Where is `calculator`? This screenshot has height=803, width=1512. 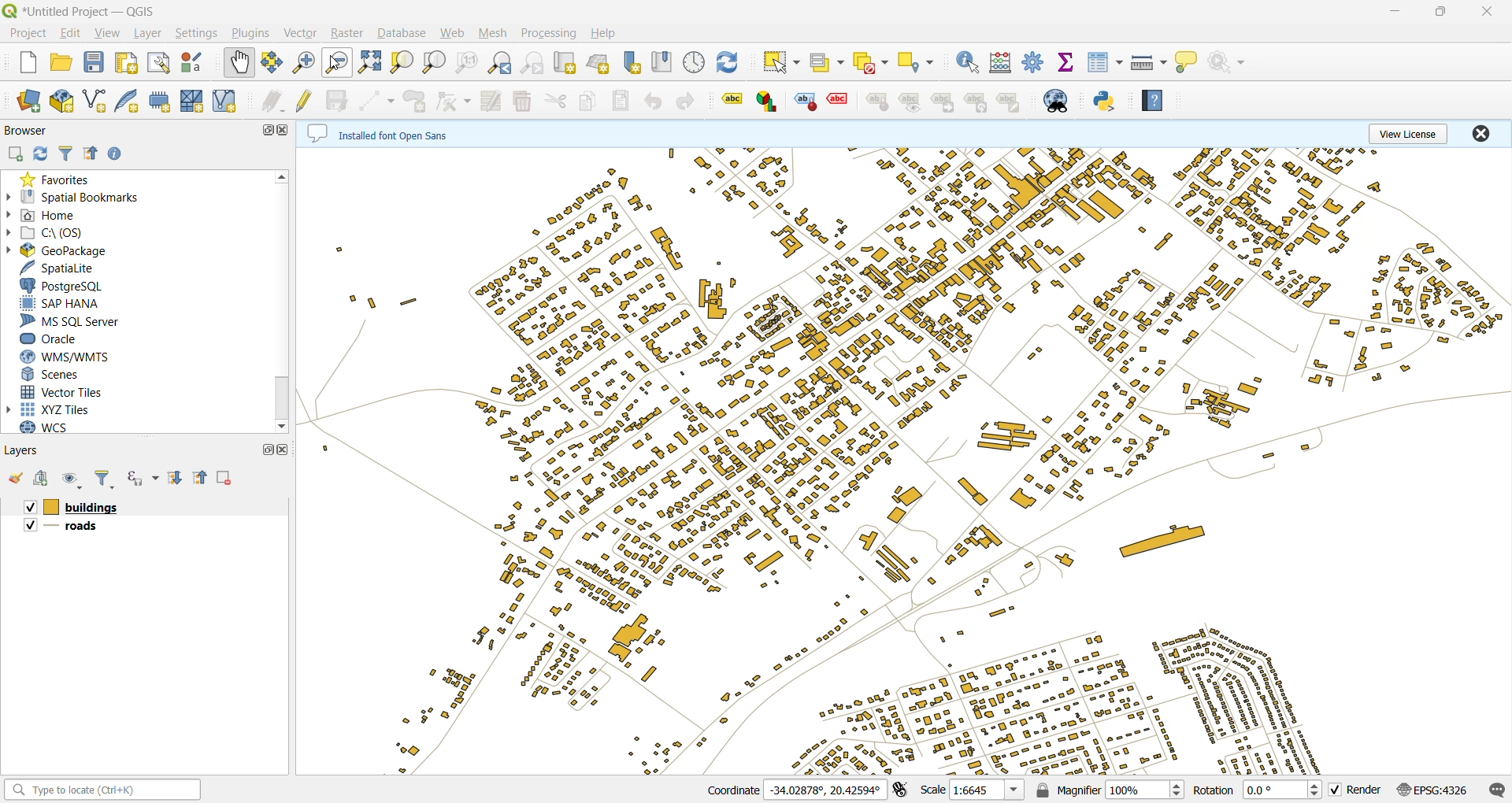
calculator is located at coordinates (1002, 62).